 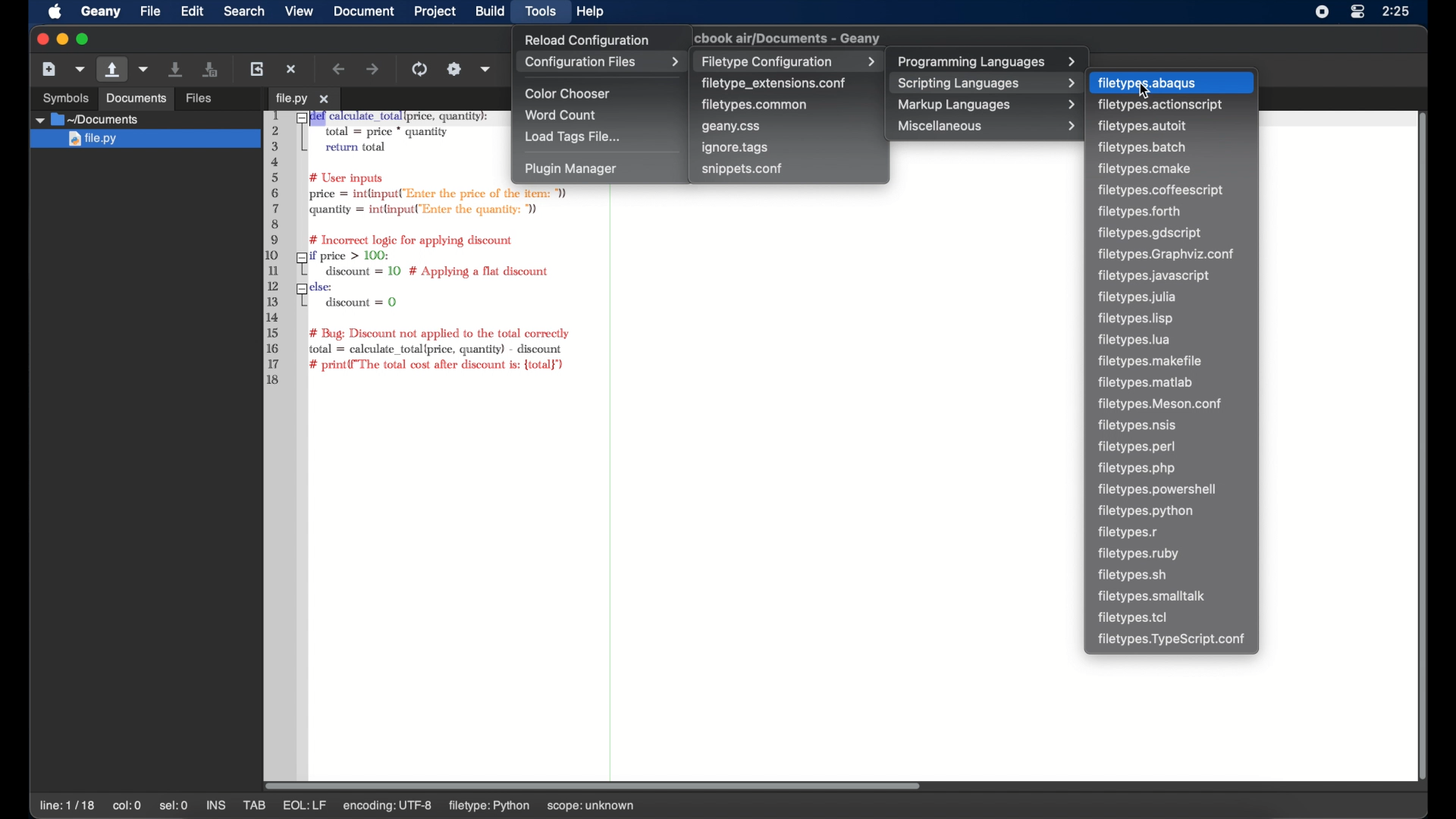 I want to click on filetypes, so click(x=1138, y=469).